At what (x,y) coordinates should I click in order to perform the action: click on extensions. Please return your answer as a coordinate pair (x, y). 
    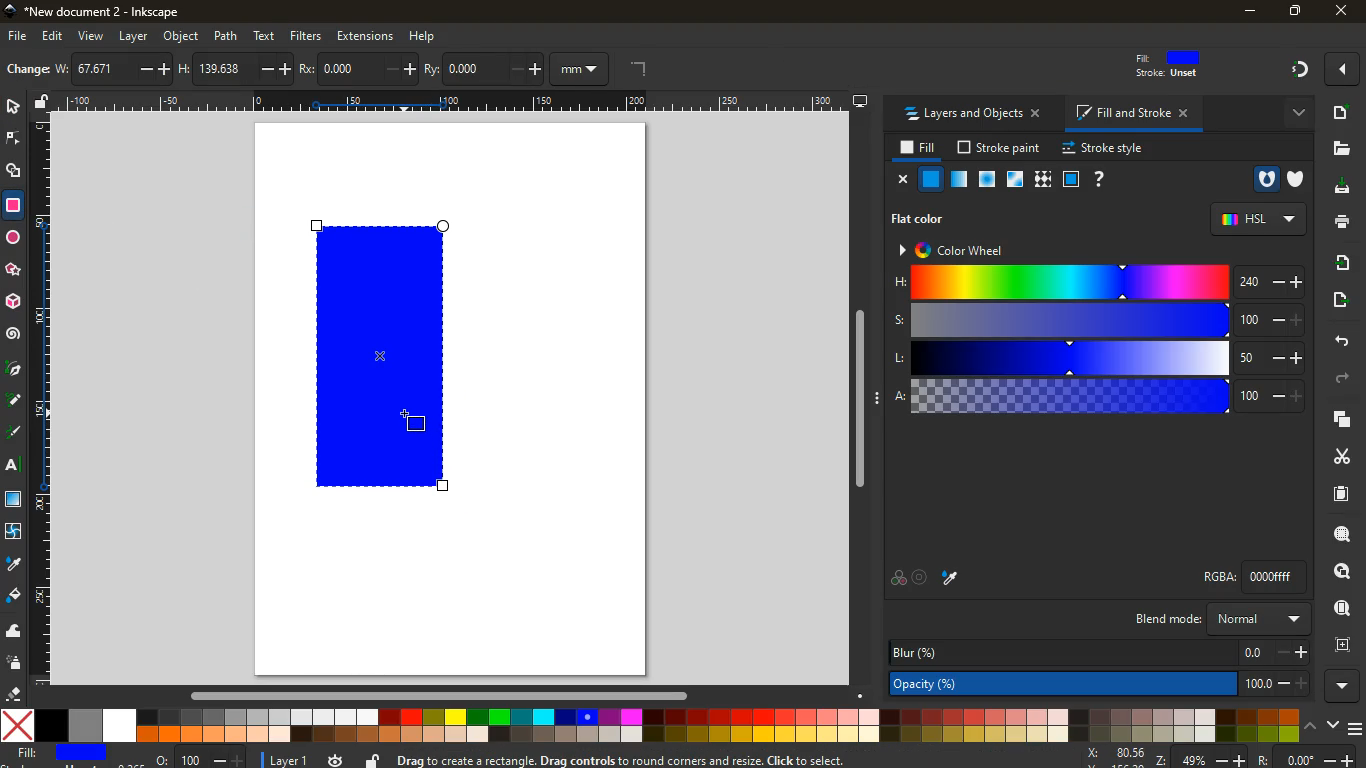
    Looking at the image, I should click on (365, 37).